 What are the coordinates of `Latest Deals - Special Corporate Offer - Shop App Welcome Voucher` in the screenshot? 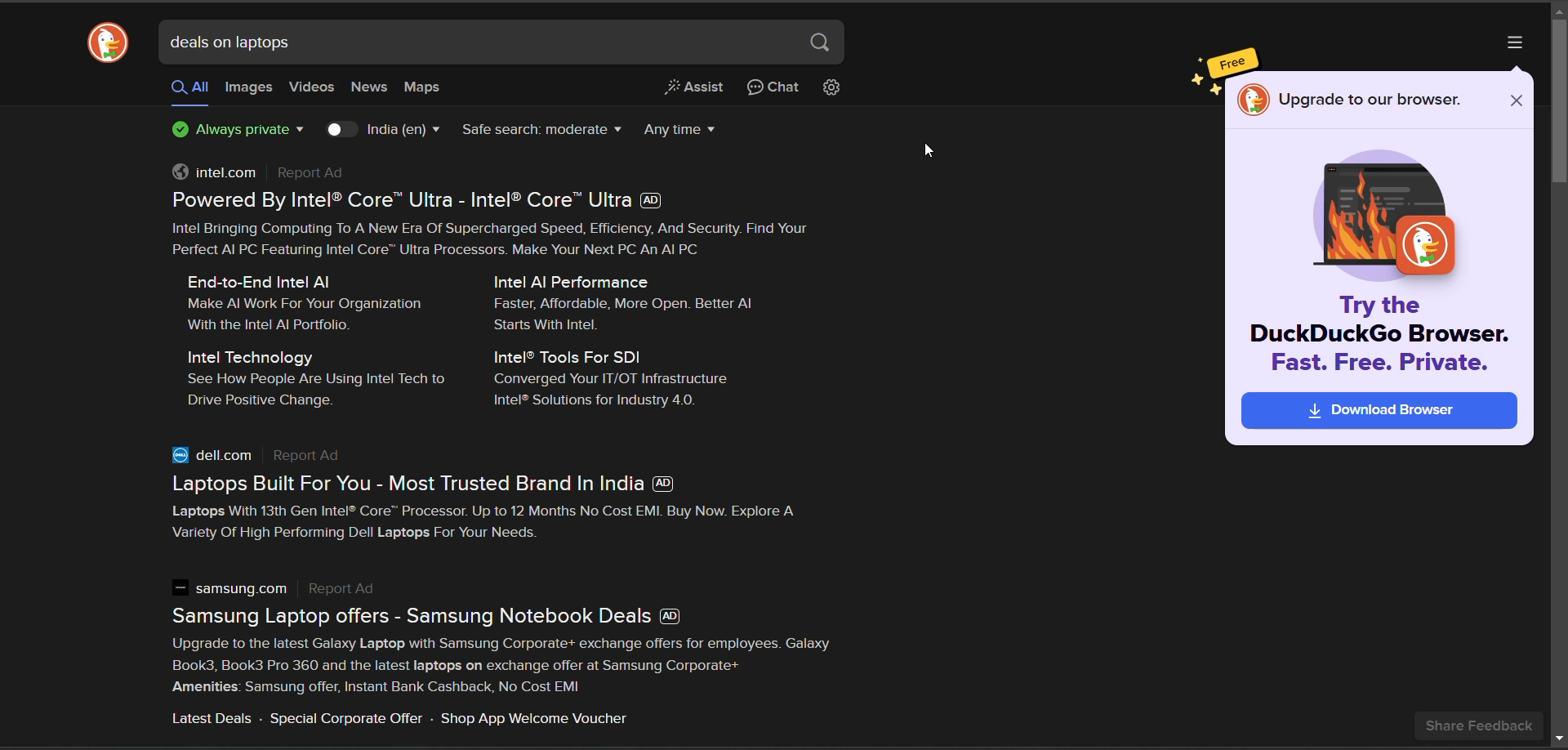 It's located at (399, 720).